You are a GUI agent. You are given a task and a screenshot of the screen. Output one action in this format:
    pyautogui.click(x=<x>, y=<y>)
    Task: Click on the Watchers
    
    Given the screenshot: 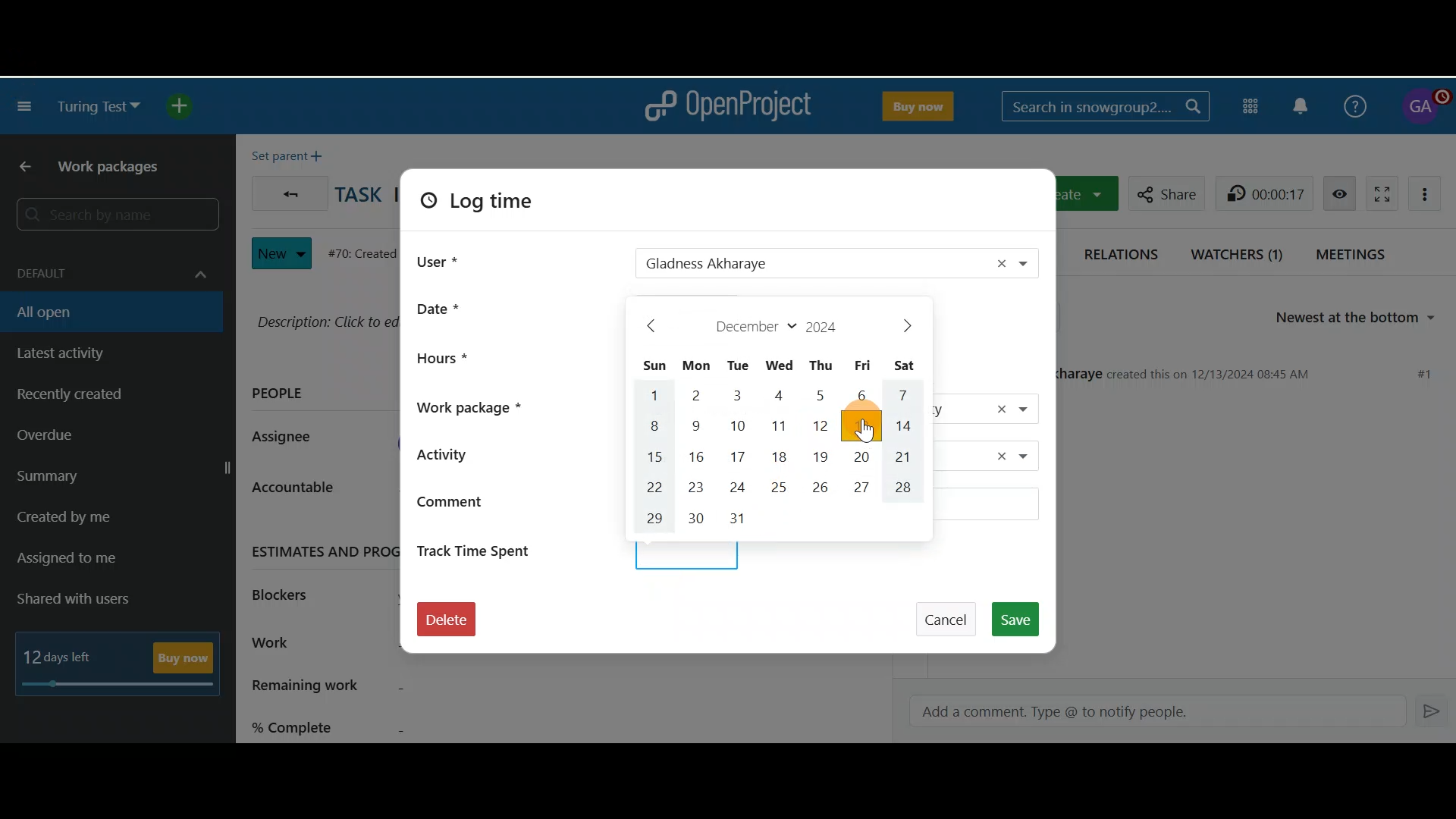 What is the action you would take?
    pyautogui.click(x=1238, y=252)
    